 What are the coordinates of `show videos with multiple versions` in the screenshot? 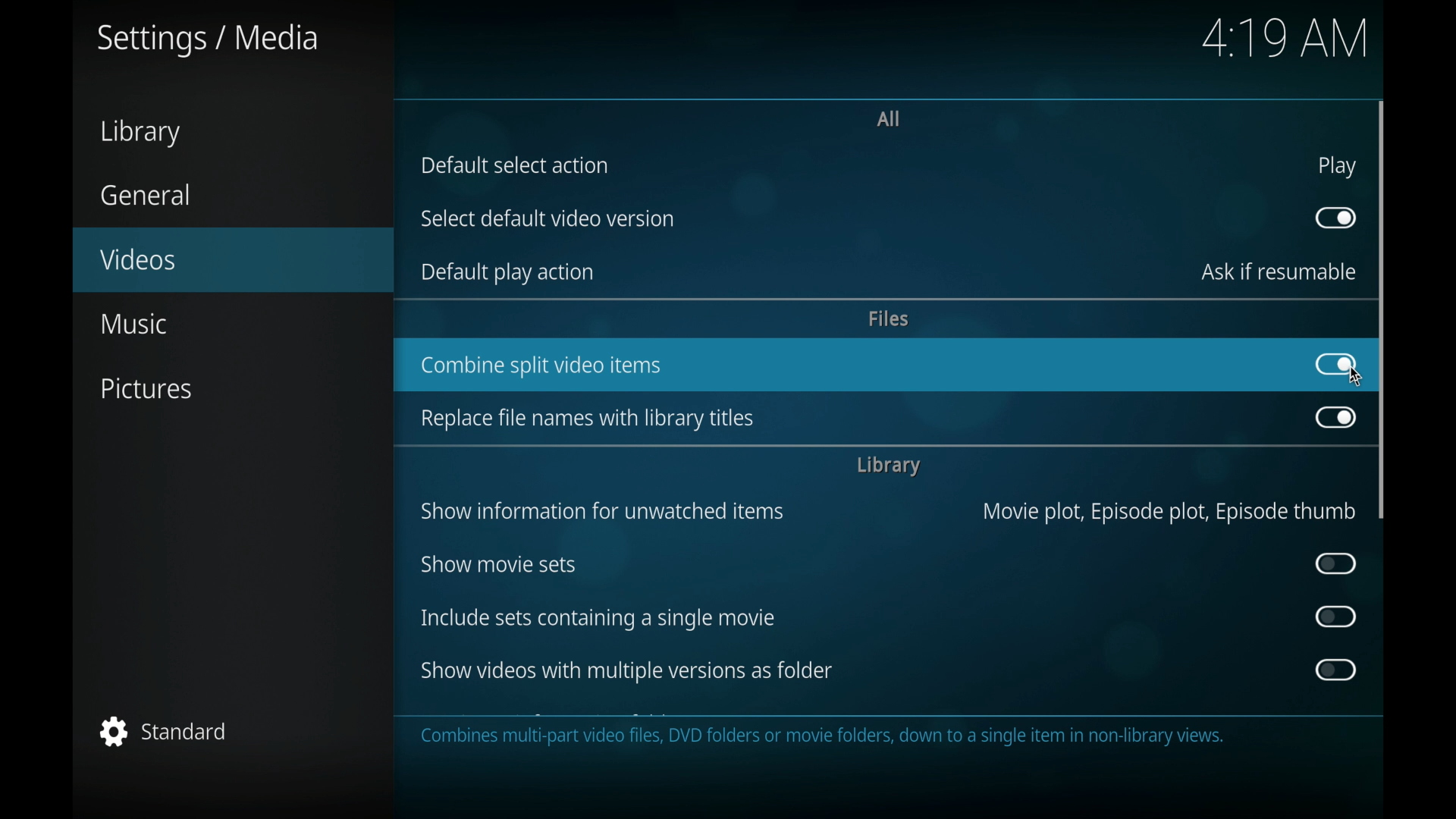 It's located at (623, 670).